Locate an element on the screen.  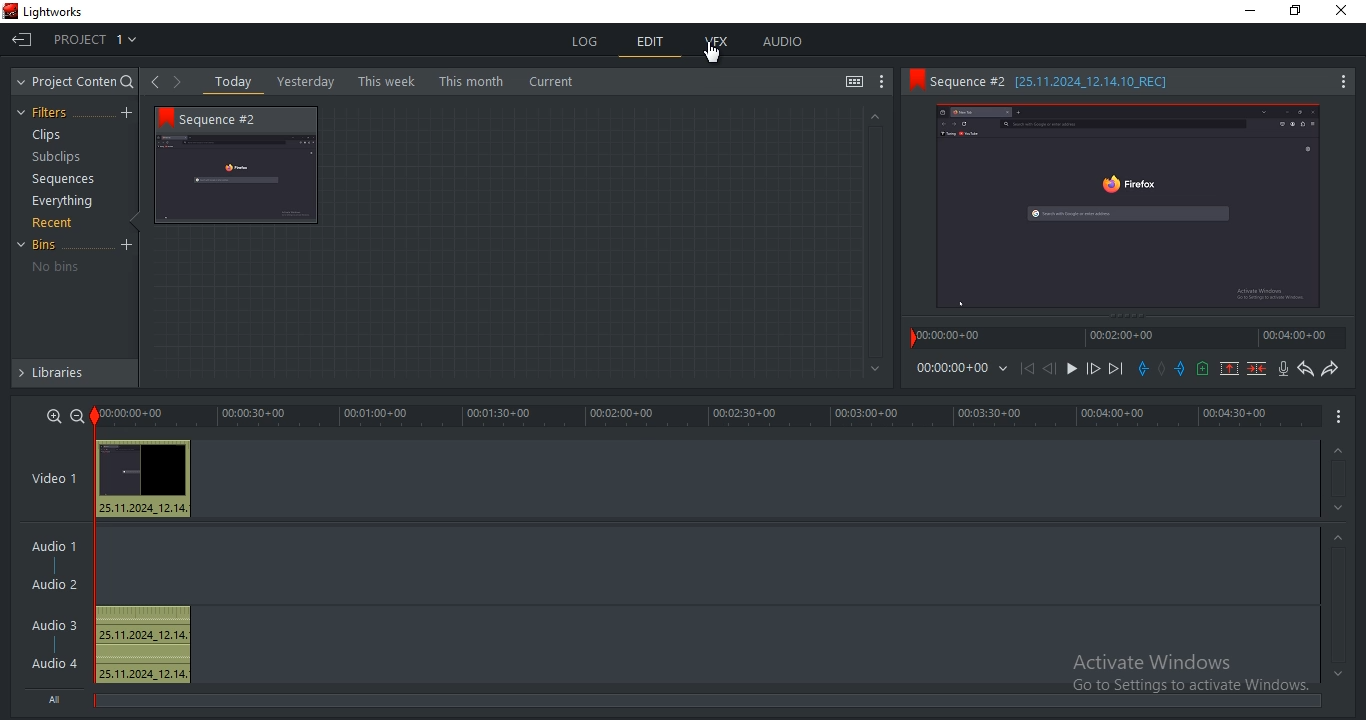
Audio 2 is located at coordinates (57, 584).